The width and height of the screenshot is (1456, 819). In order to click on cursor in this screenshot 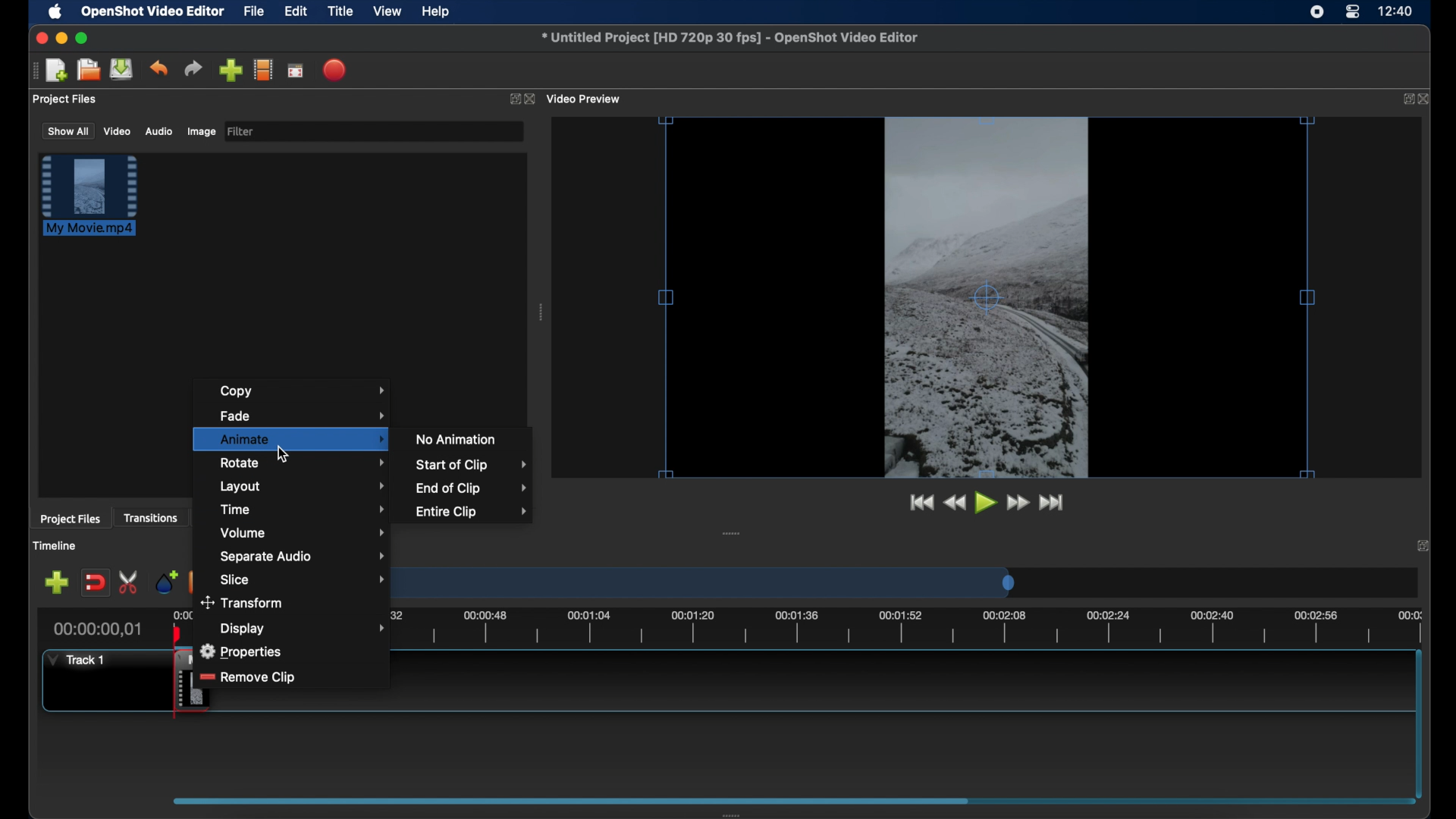, I will do `click(281, 453)`.